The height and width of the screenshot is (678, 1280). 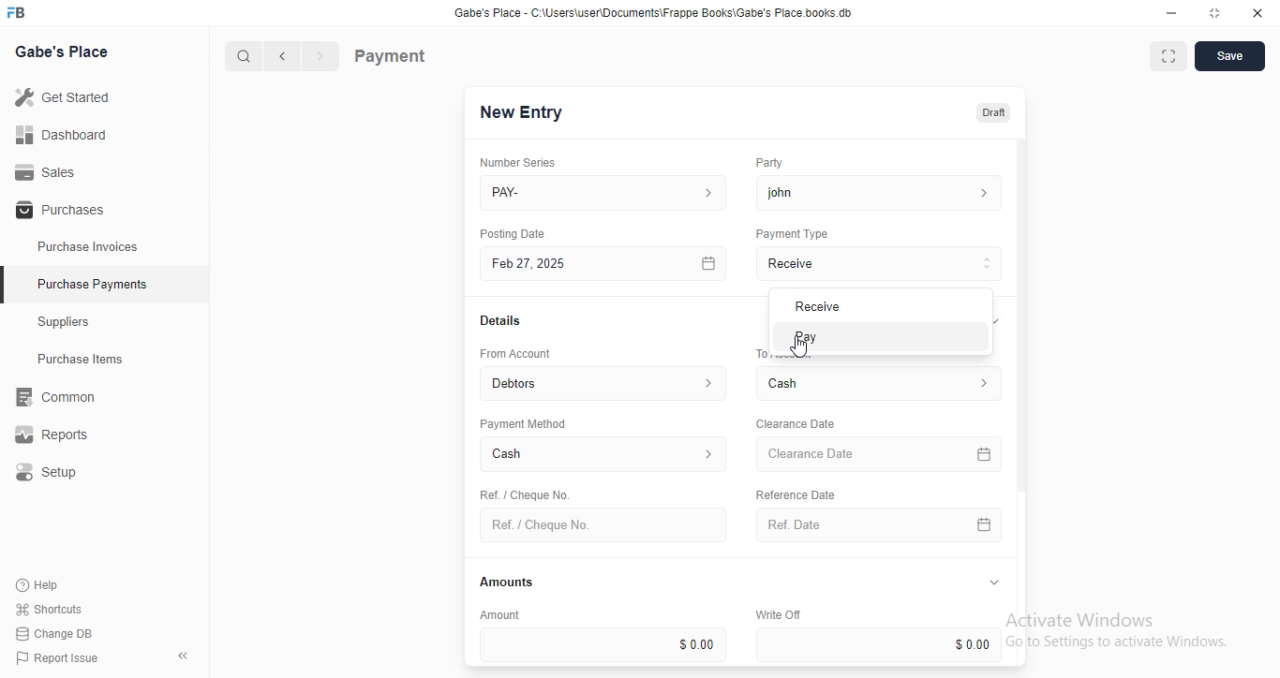 What do you see at coordinates (182, 655) in the screenshot?
I see `collapse sidebar` at bounding box center [182, 655].